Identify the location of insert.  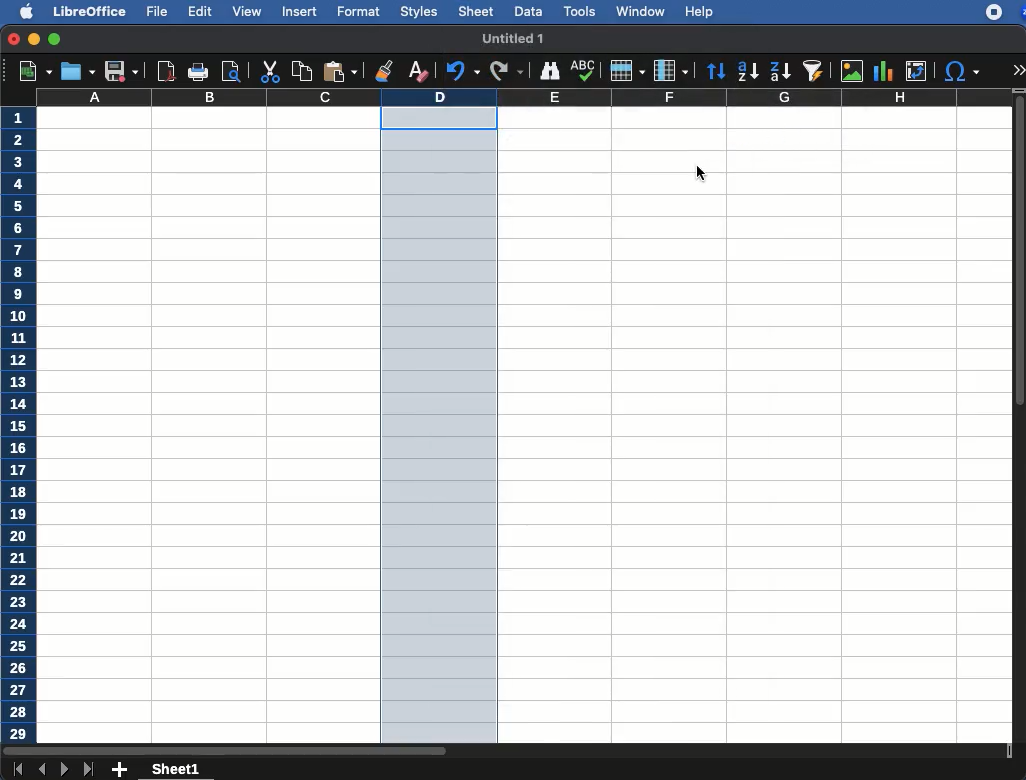
(299, 13).